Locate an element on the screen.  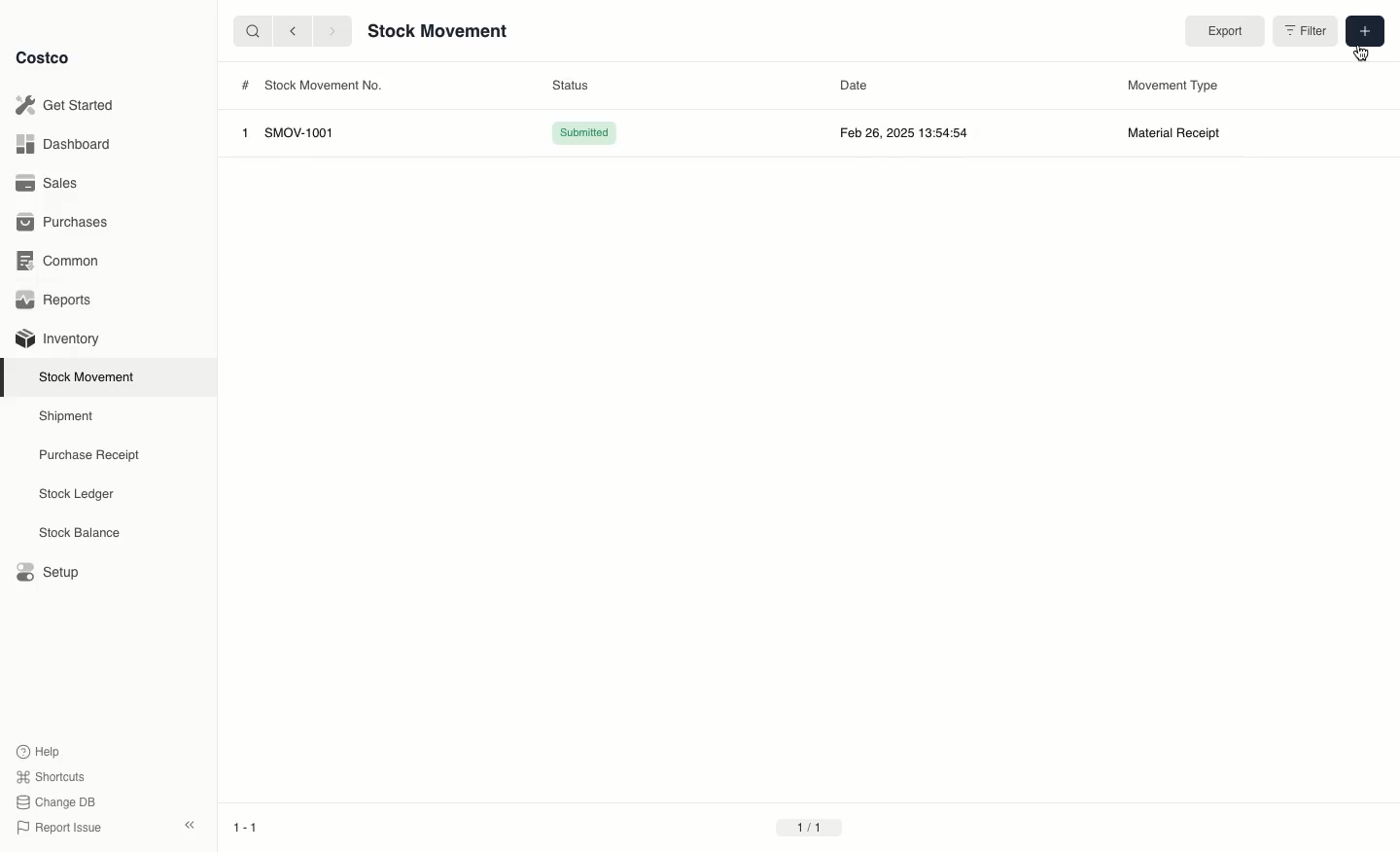
Dashboard is located at coordinates (65, 146).